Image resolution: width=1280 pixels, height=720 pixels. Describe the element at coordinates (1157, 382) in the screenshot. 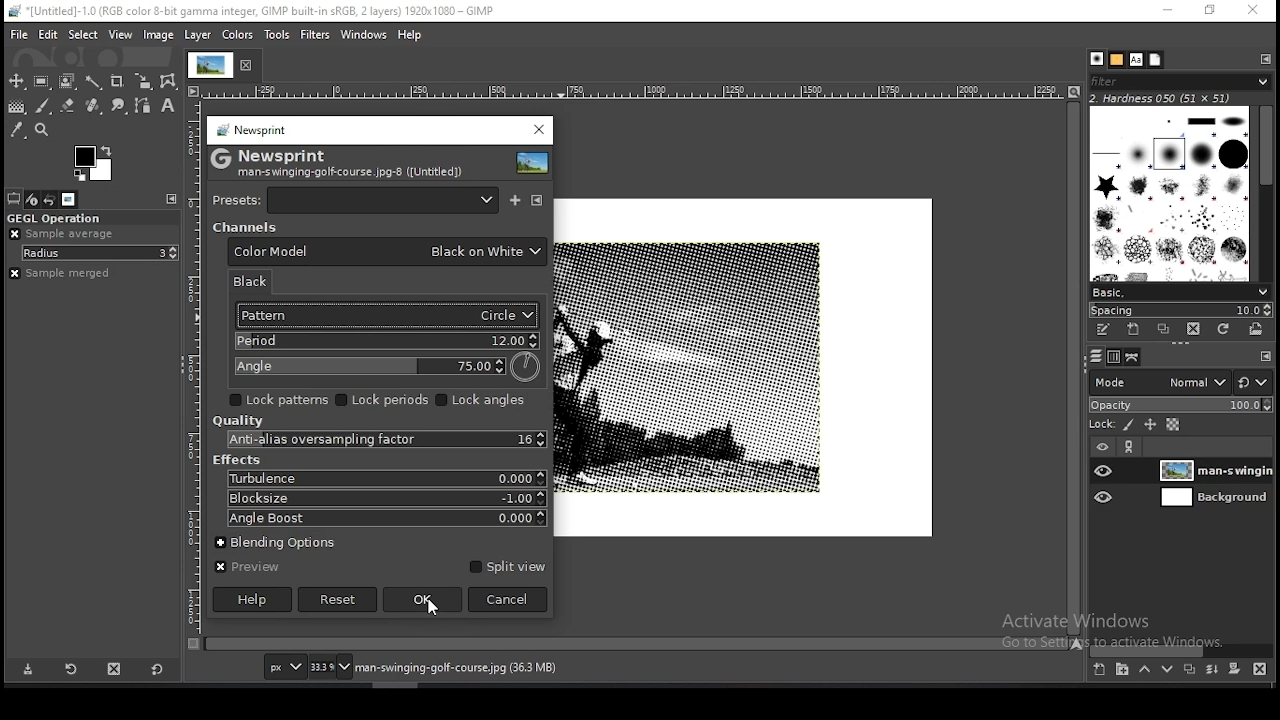

I see `blend mode` at that location.